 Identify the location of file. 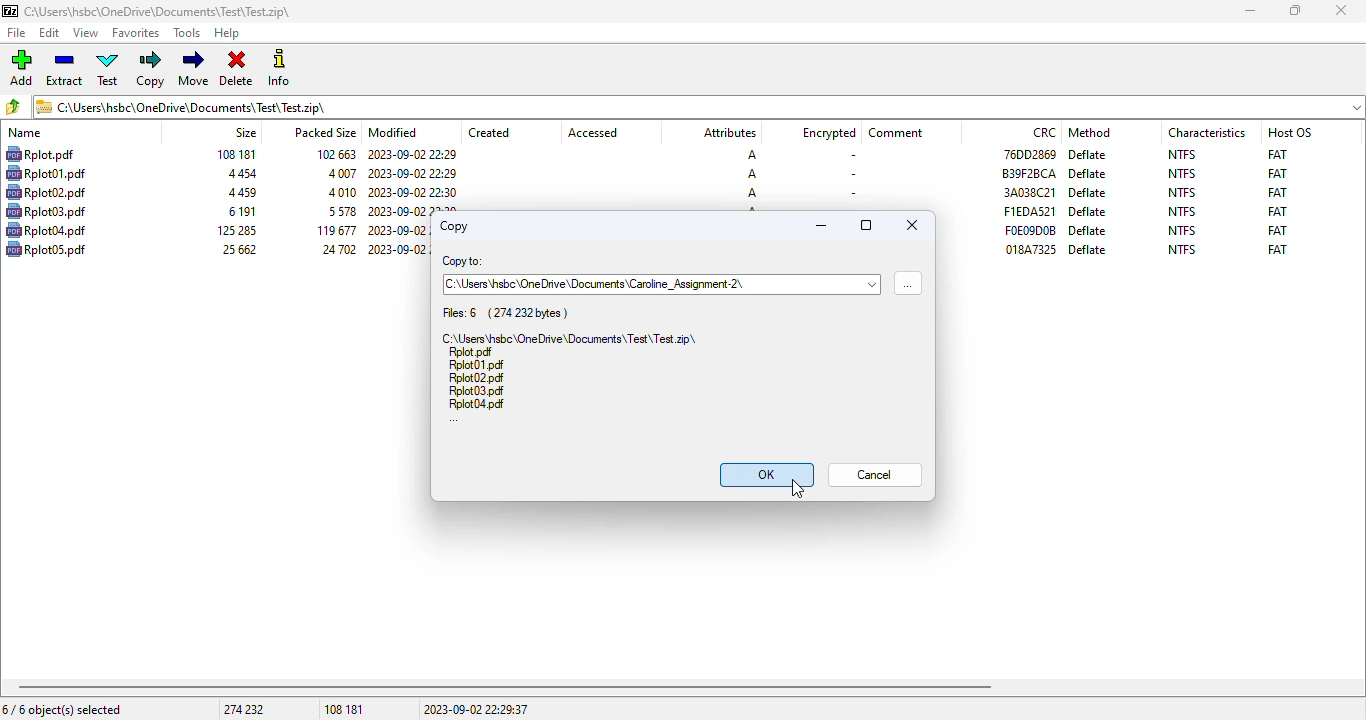
(475, 378).